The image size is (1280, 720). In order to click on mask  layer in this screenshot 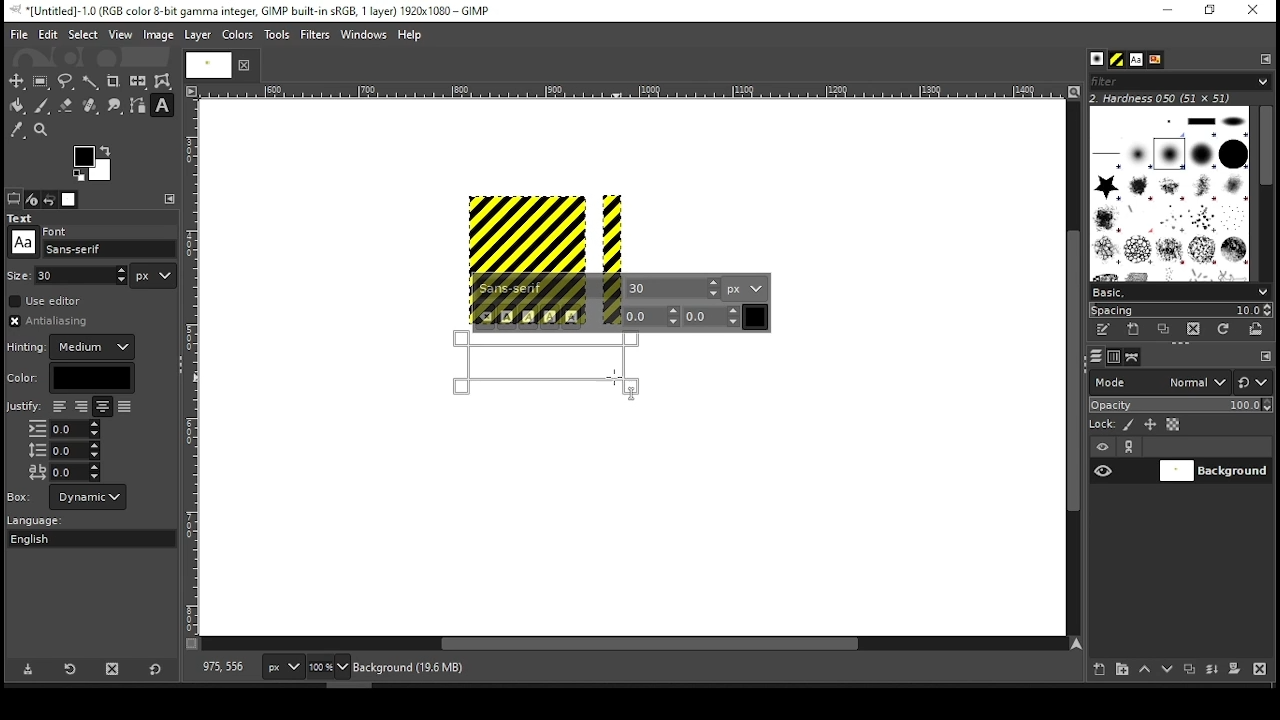, I will do `click(1234, 670)`.